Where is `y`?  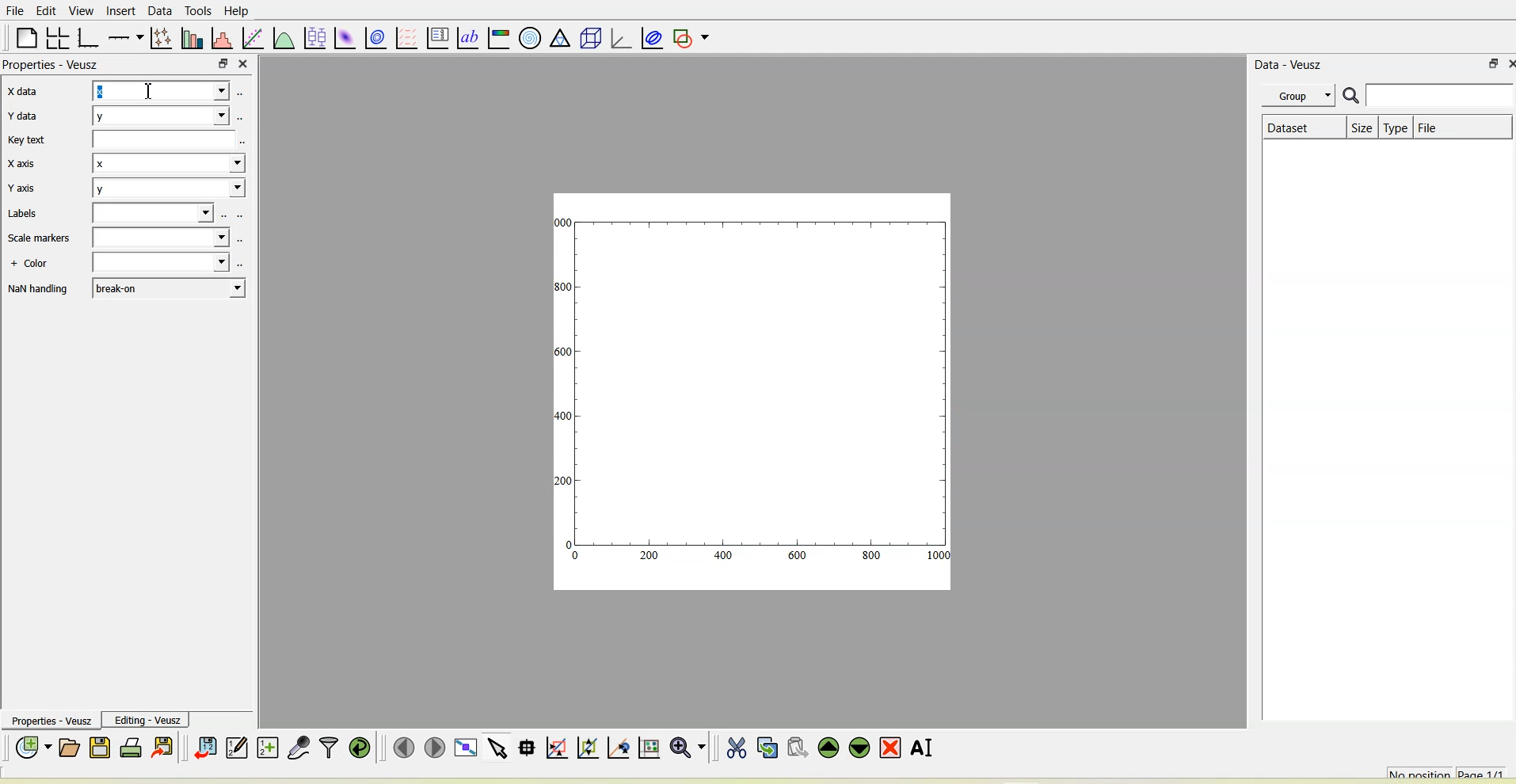 y is located at coordinates (169, 188).